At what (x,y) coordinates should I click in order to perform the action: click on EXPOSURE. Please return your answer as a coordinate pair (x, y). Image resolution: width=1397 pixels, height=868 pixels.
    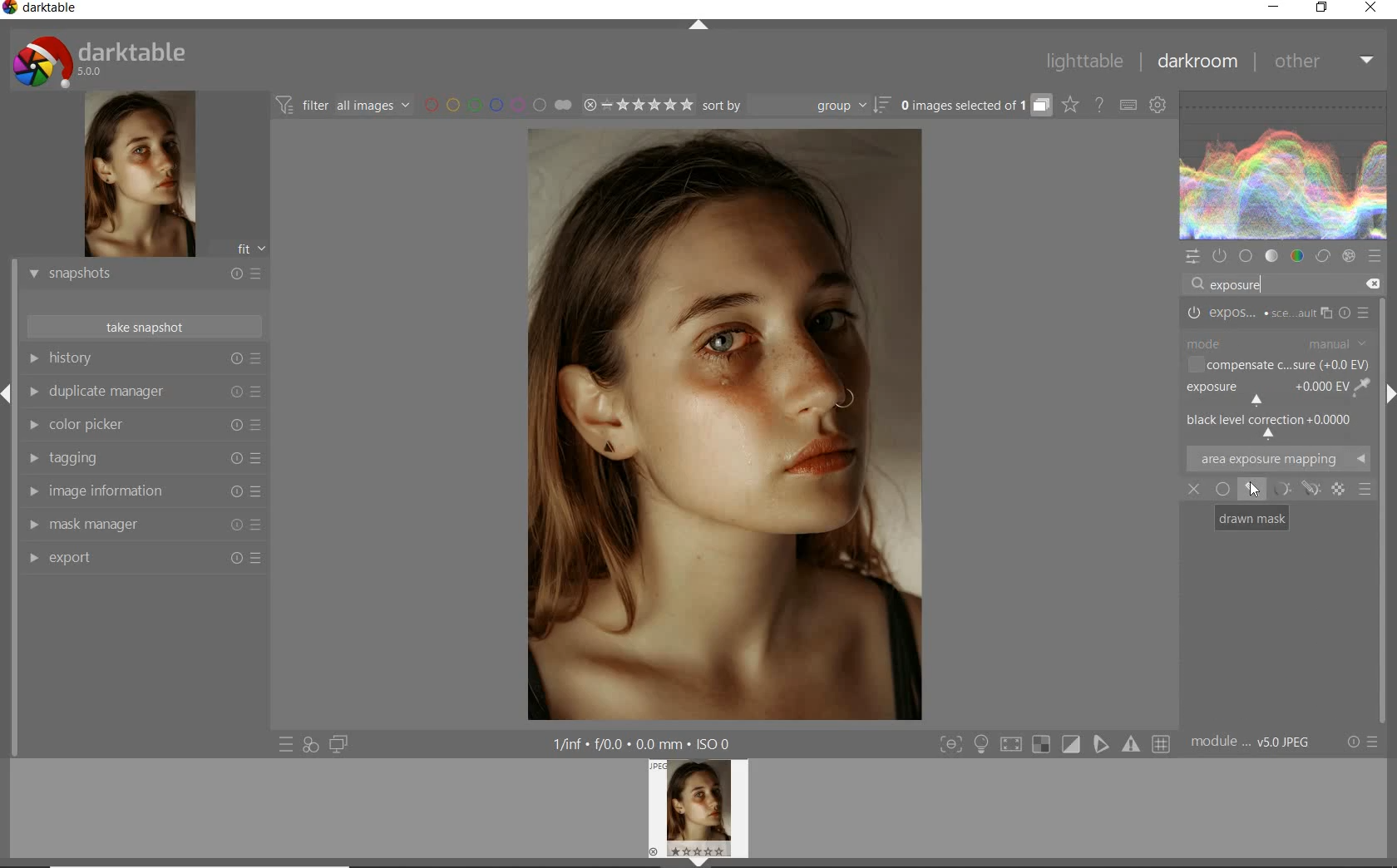
    Looking at the image, I should click on (1278, 315).